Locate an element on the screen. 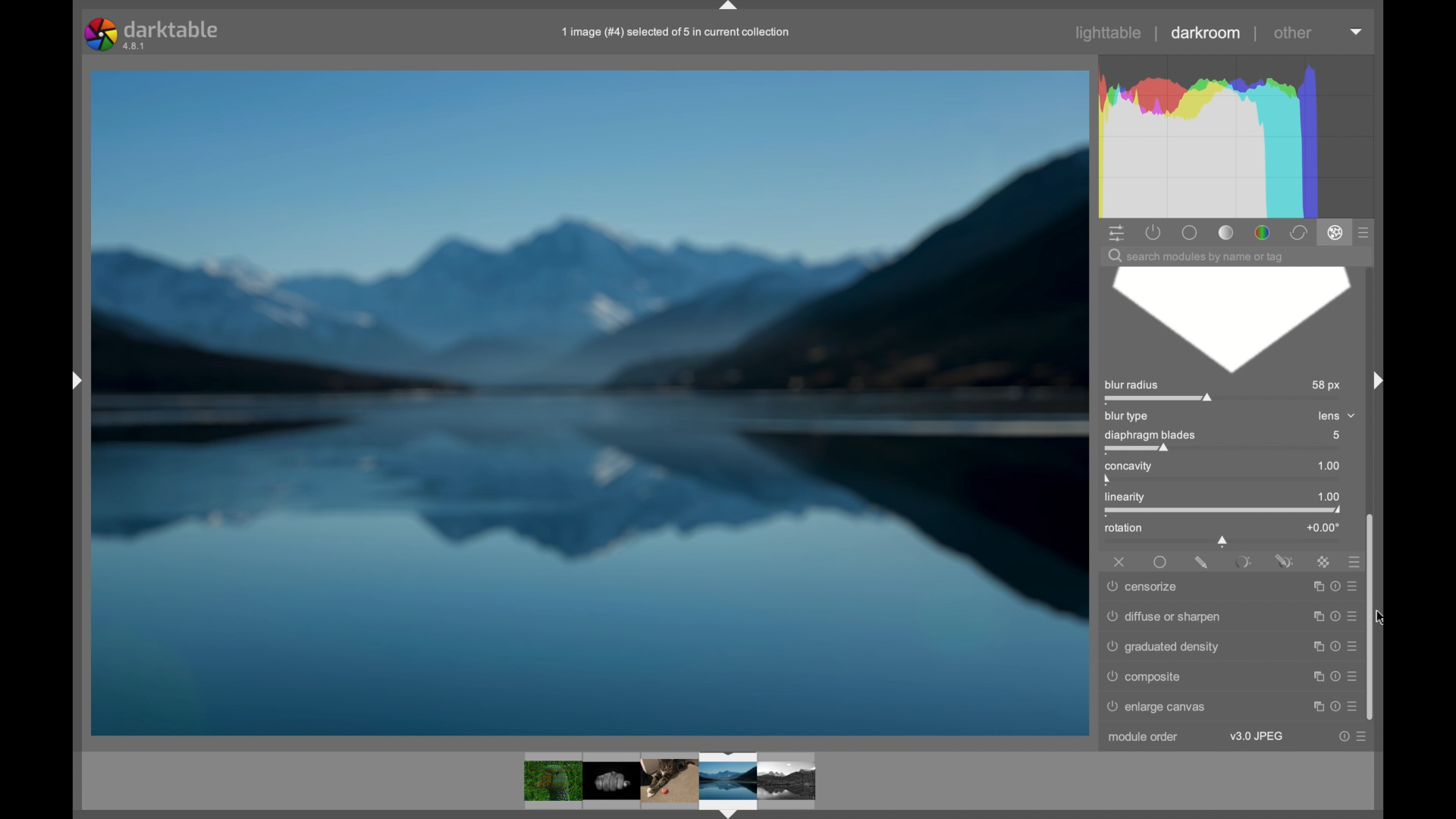 This screenshot has height=819, width=1456. diffuse or sharpen is located at coordinates (1164, 614).